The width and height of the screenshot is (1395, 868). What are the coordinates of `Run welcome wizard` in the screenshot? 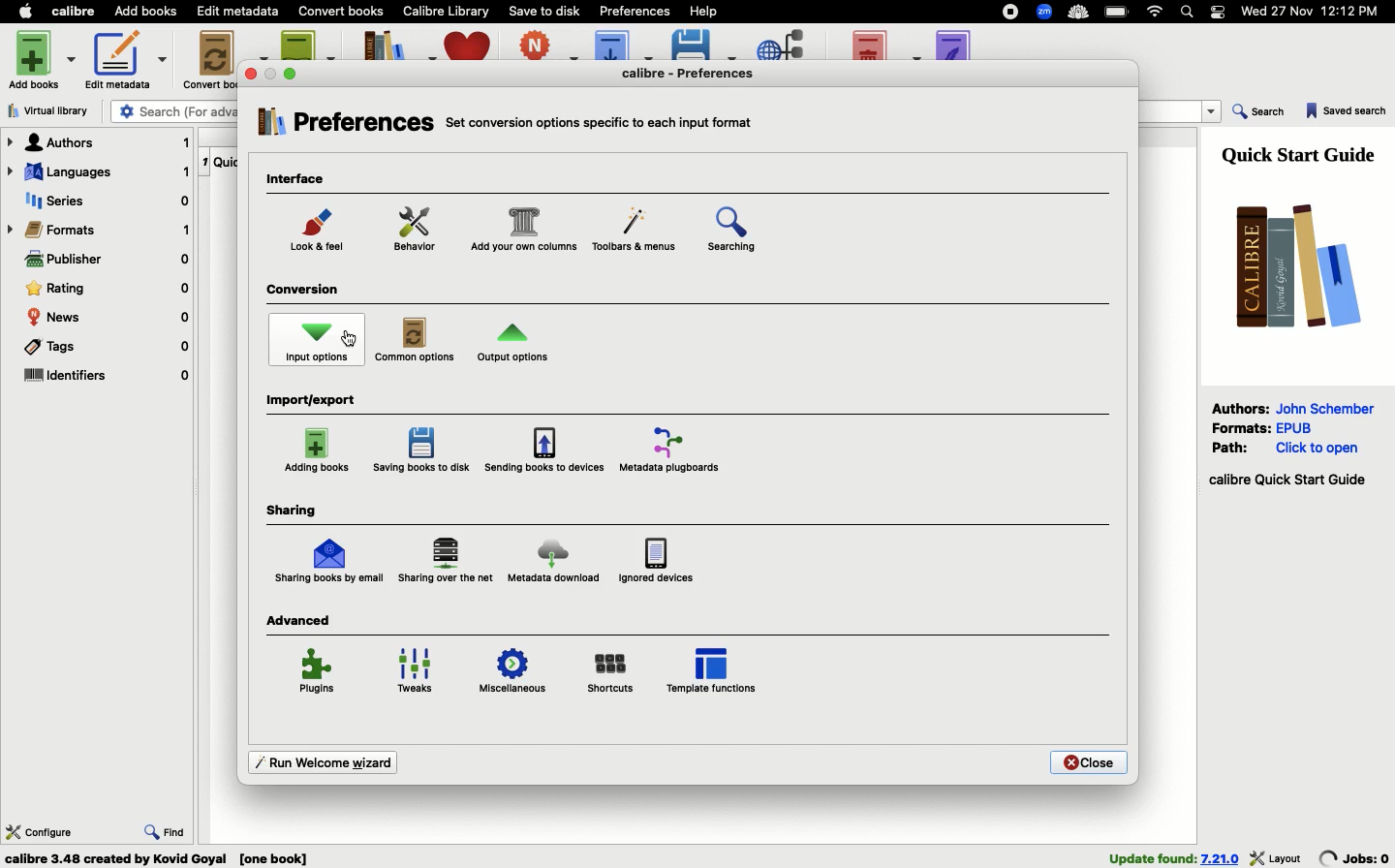 It's located at (320, 760).